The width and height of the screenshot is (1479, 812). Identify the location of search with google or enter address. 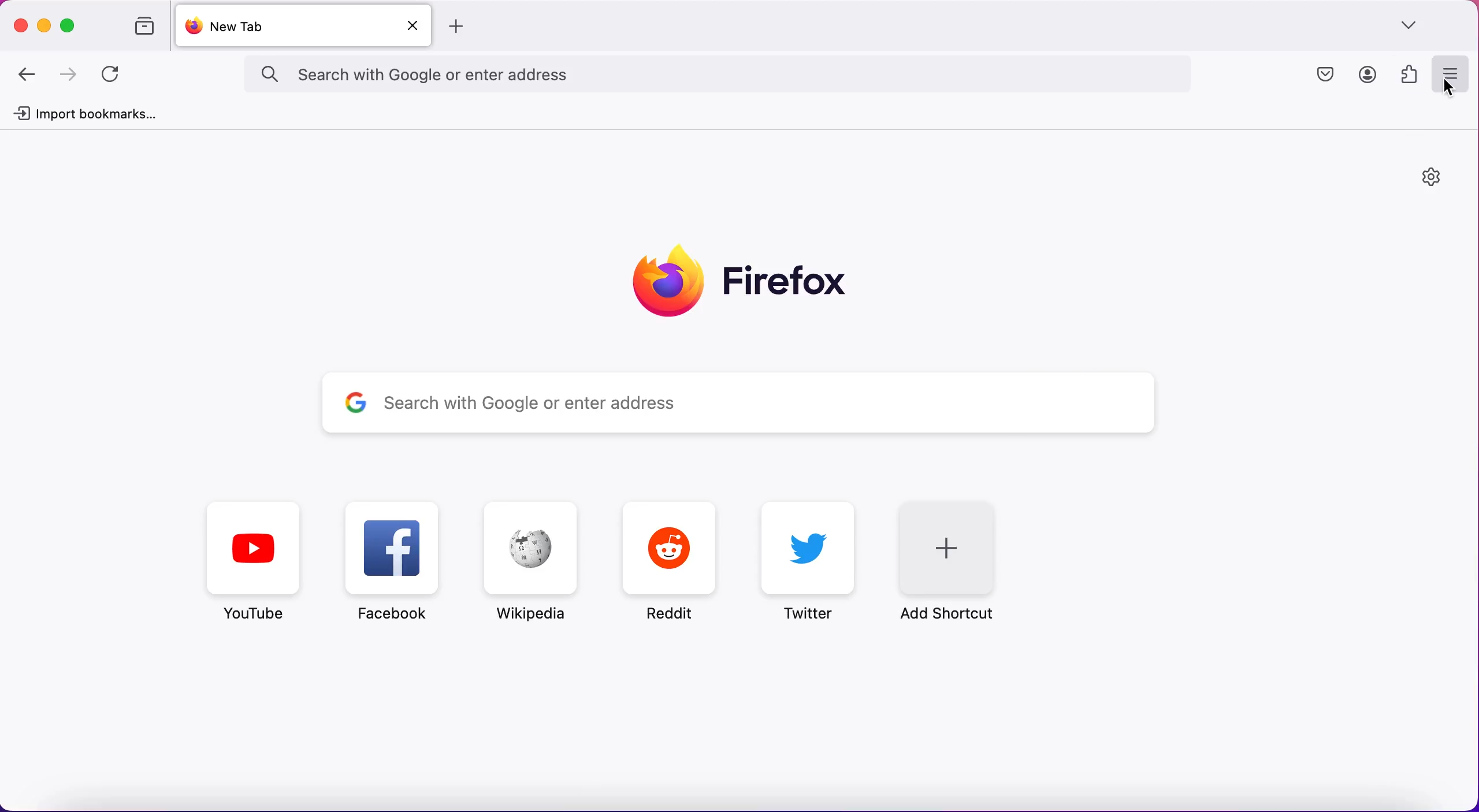
(742, 75).